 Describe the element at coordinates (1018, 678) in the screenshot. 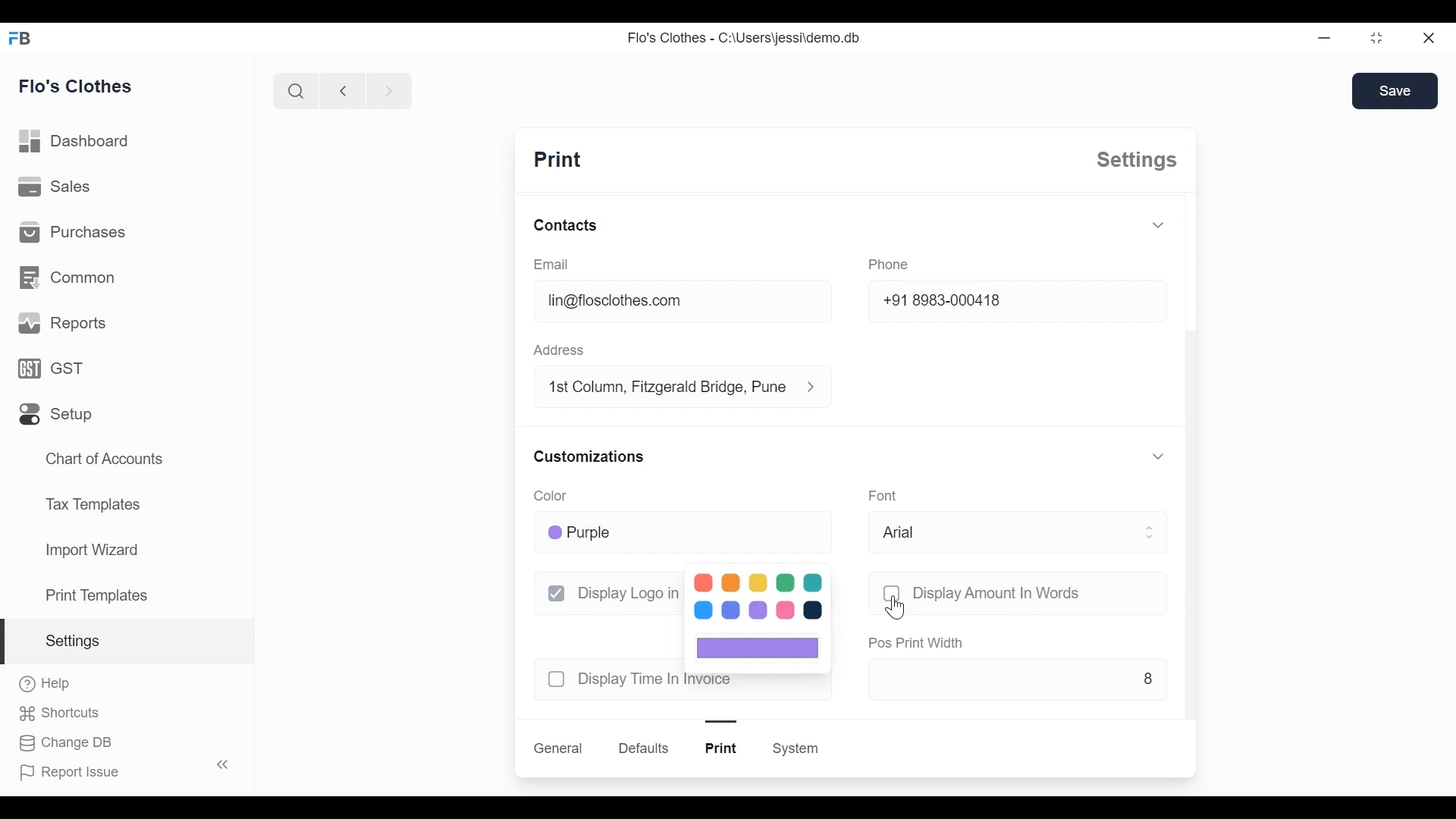

I see `8` at that location.